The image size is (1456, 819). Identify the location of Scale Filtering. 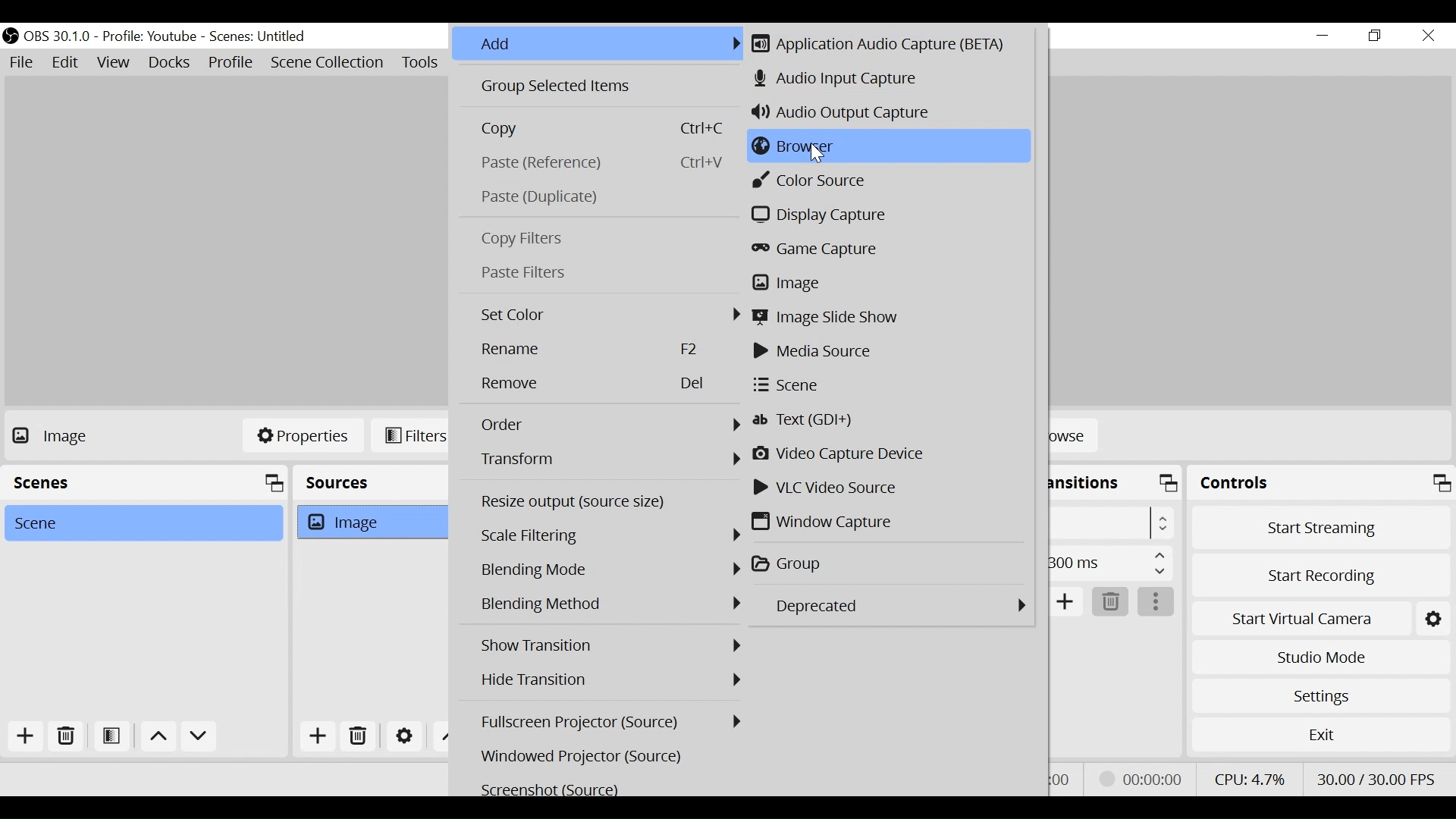
(612, 537).